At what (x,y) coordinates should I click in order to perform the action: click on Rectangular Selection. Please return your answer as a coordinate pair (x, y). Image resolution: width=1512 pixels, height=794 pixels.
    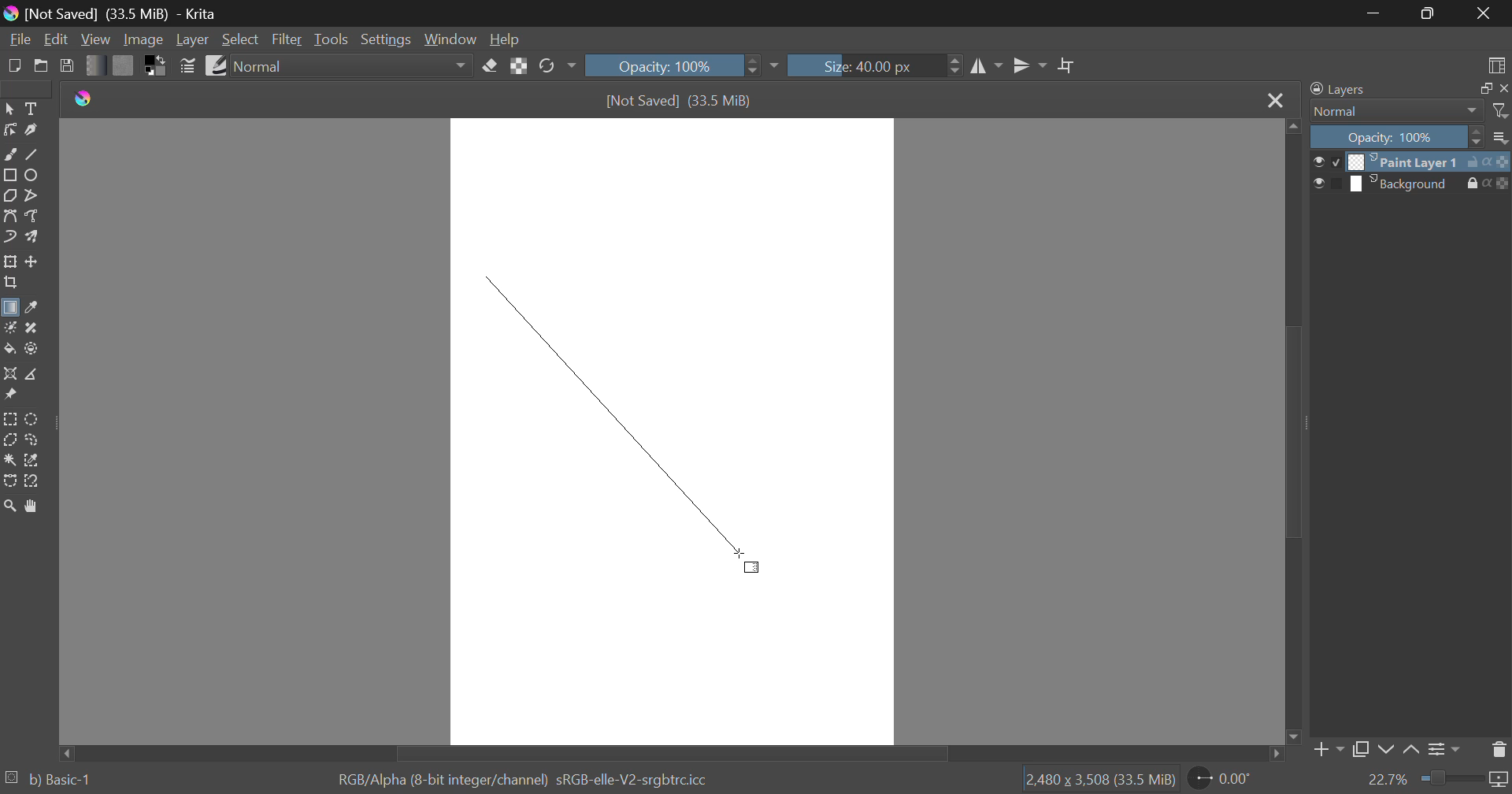
    Looking at the image, I should click on (11, 420).